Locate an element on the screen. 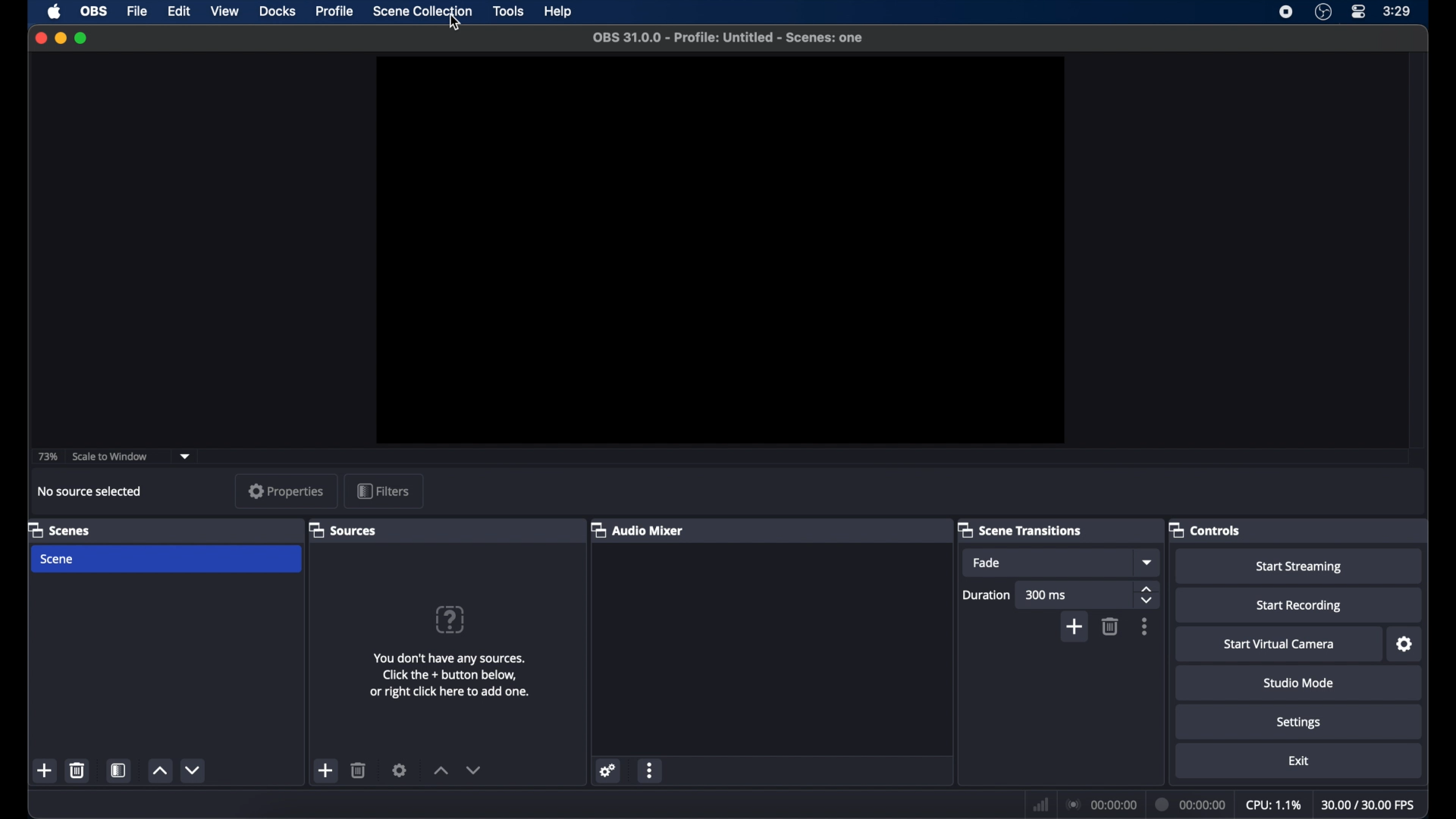 This screenshot has width=1456, height=819. cpu is located at coordinates (1274, 804).